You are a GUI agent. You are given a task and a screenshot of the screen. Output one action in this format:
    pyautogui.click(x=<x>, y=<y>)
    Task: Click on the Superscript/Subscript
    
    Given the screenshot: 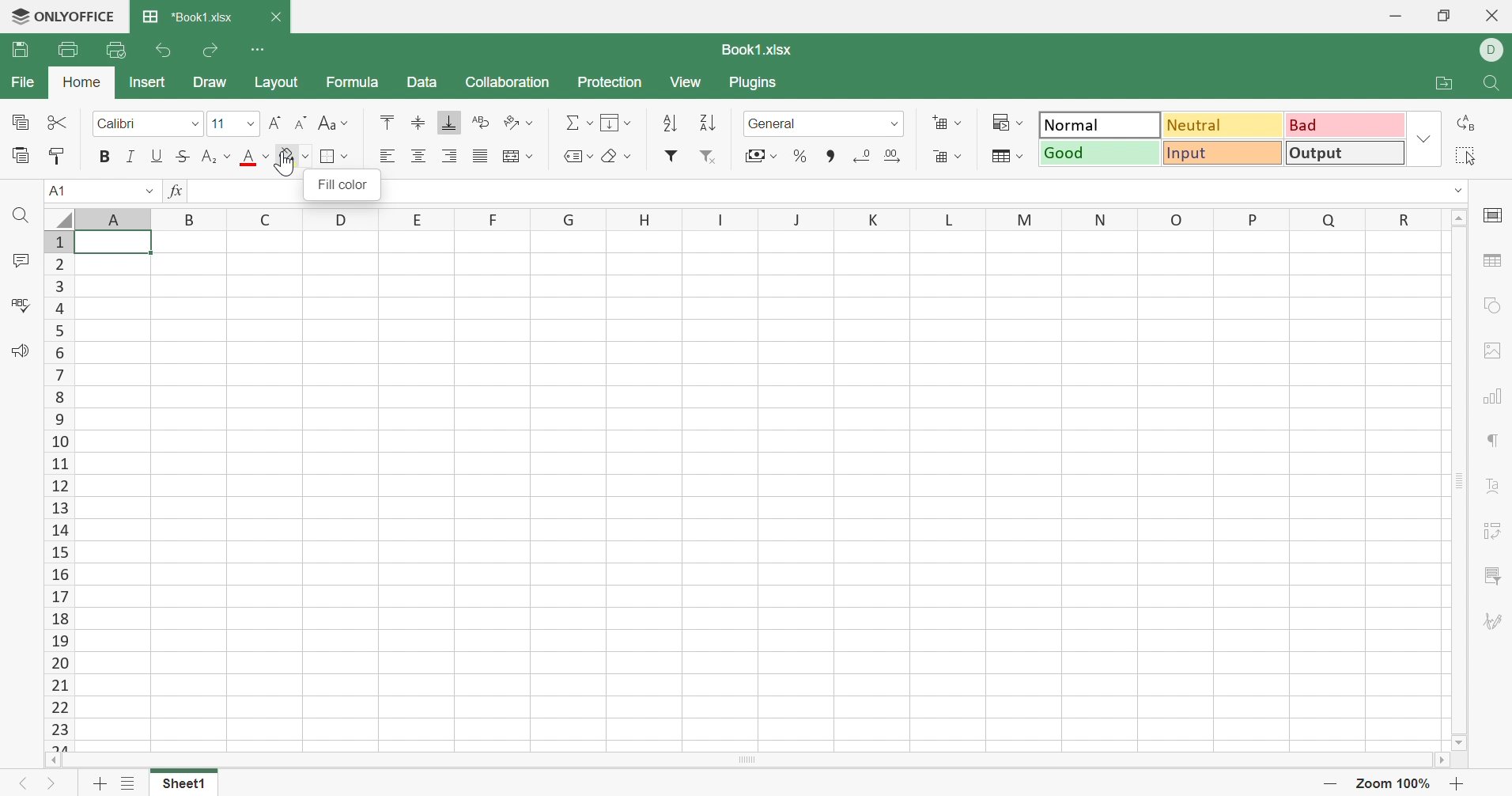 What is the action you would take?
    pyautogui.click(x=217, y=154)
    